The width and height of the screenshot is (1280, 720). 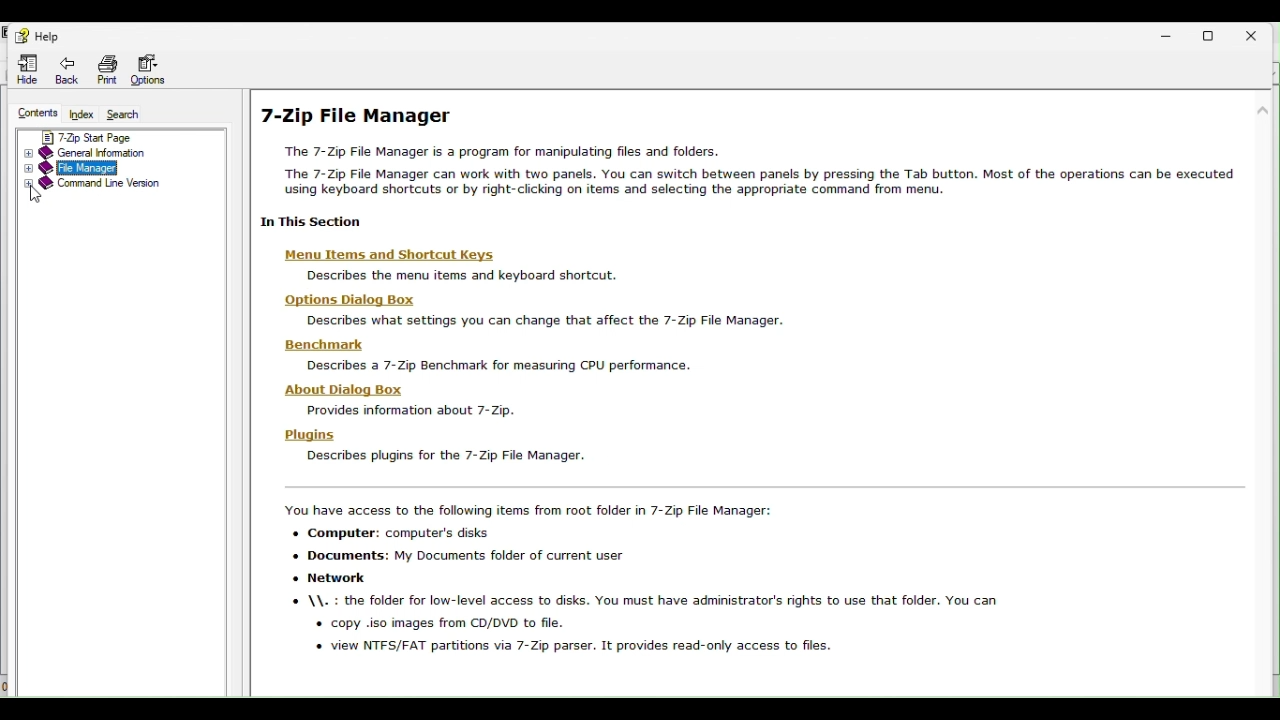 I want to click on Restore, so click(x=1216, y=33).